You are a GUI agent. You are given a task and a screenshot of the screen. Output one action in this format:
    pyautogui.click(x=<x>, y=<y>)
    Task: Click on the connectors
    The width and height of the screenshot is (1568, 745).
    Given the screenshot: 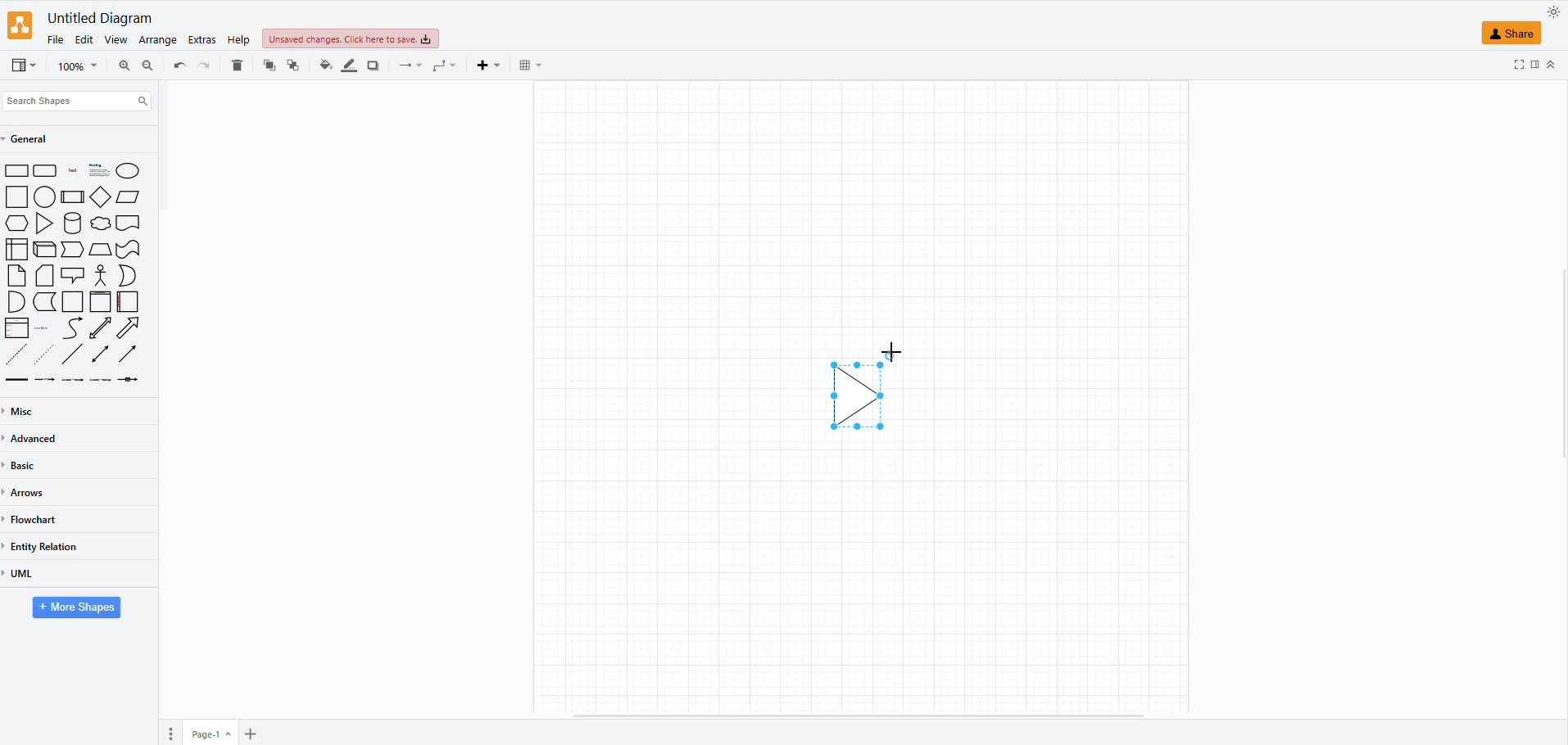 What is the action you would take?
    pyautogui.click(x=405, y=66)
    